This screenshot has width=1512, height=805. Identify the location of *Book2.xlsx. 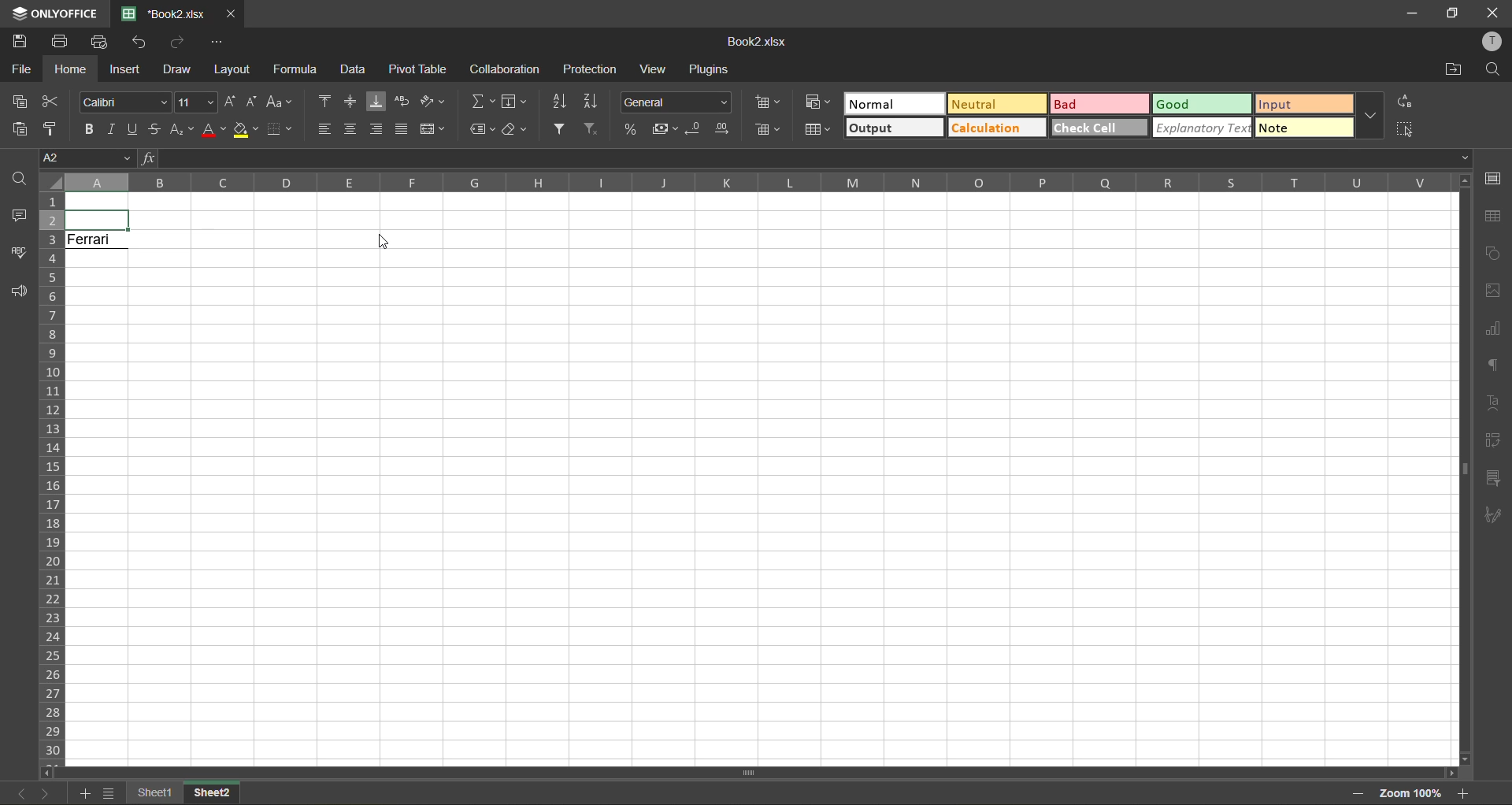
(163, 13).